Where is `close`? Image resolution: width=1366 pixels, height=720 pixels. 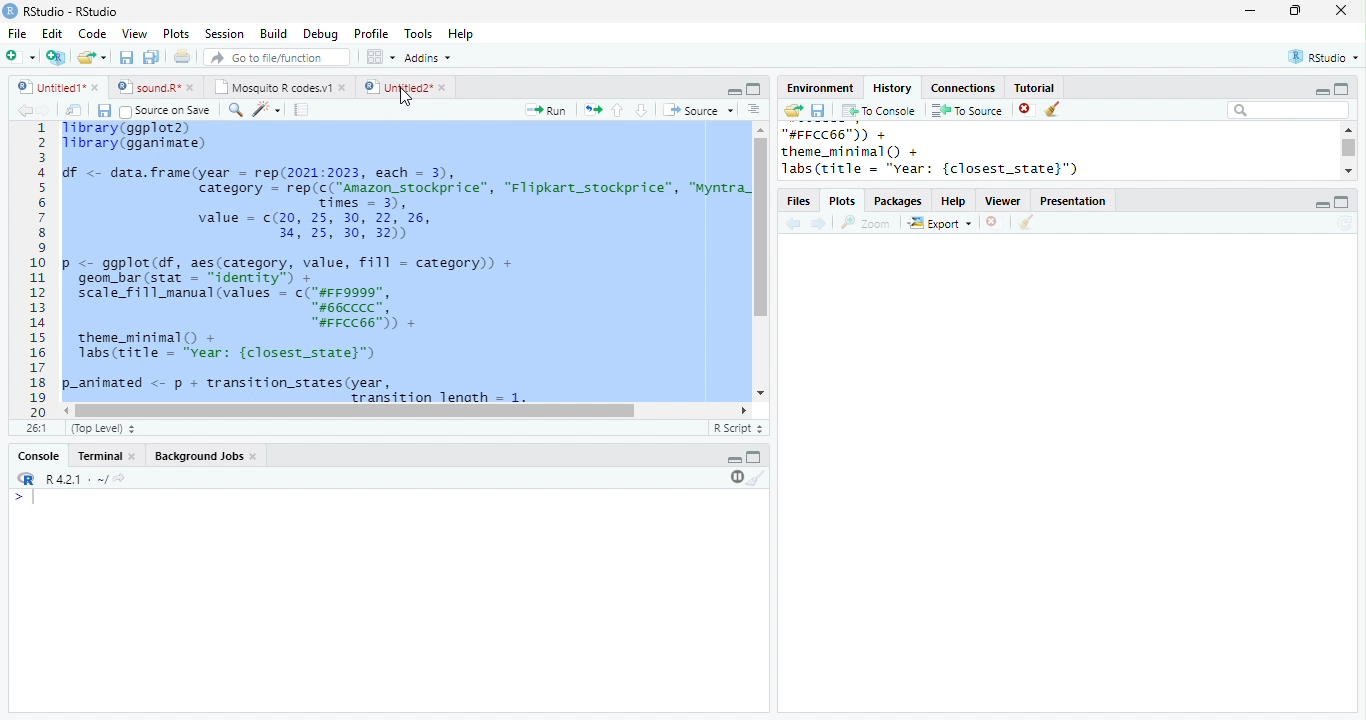
close is located at coordinates (443, 87).